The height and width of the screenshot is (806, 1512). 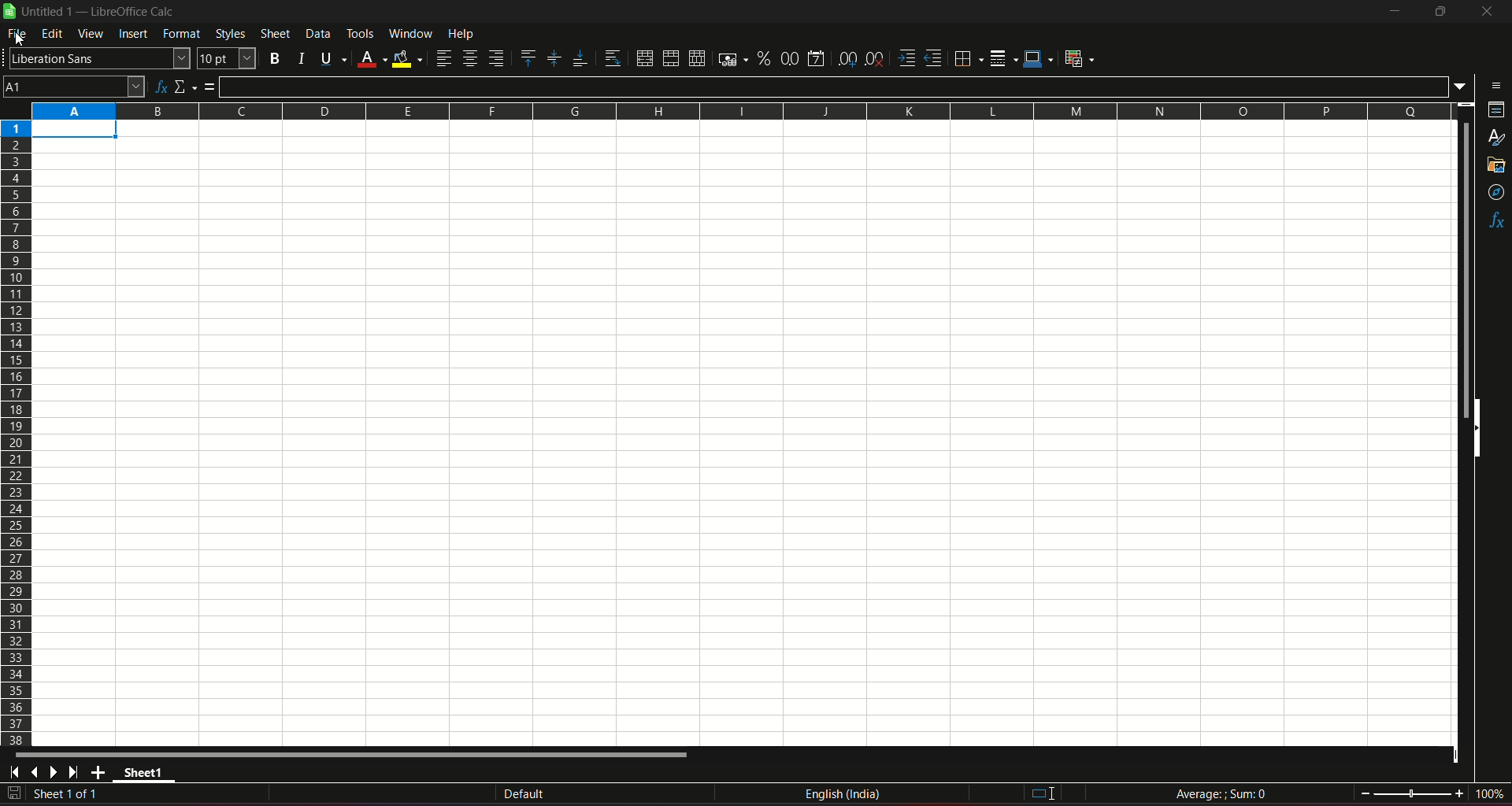 I want to click on rows, so click(x=16, y=433).